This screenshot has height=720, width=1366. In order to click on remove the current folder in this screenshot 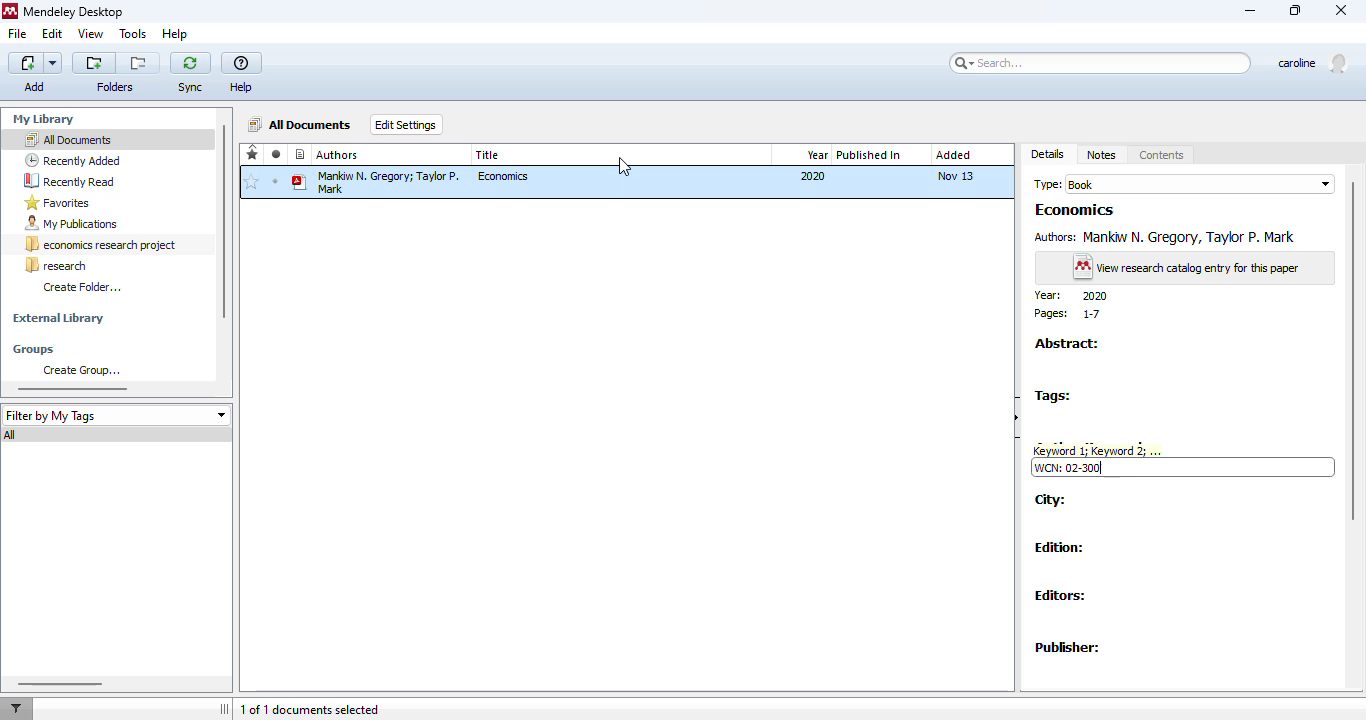, I will do `click(137, 64)`.